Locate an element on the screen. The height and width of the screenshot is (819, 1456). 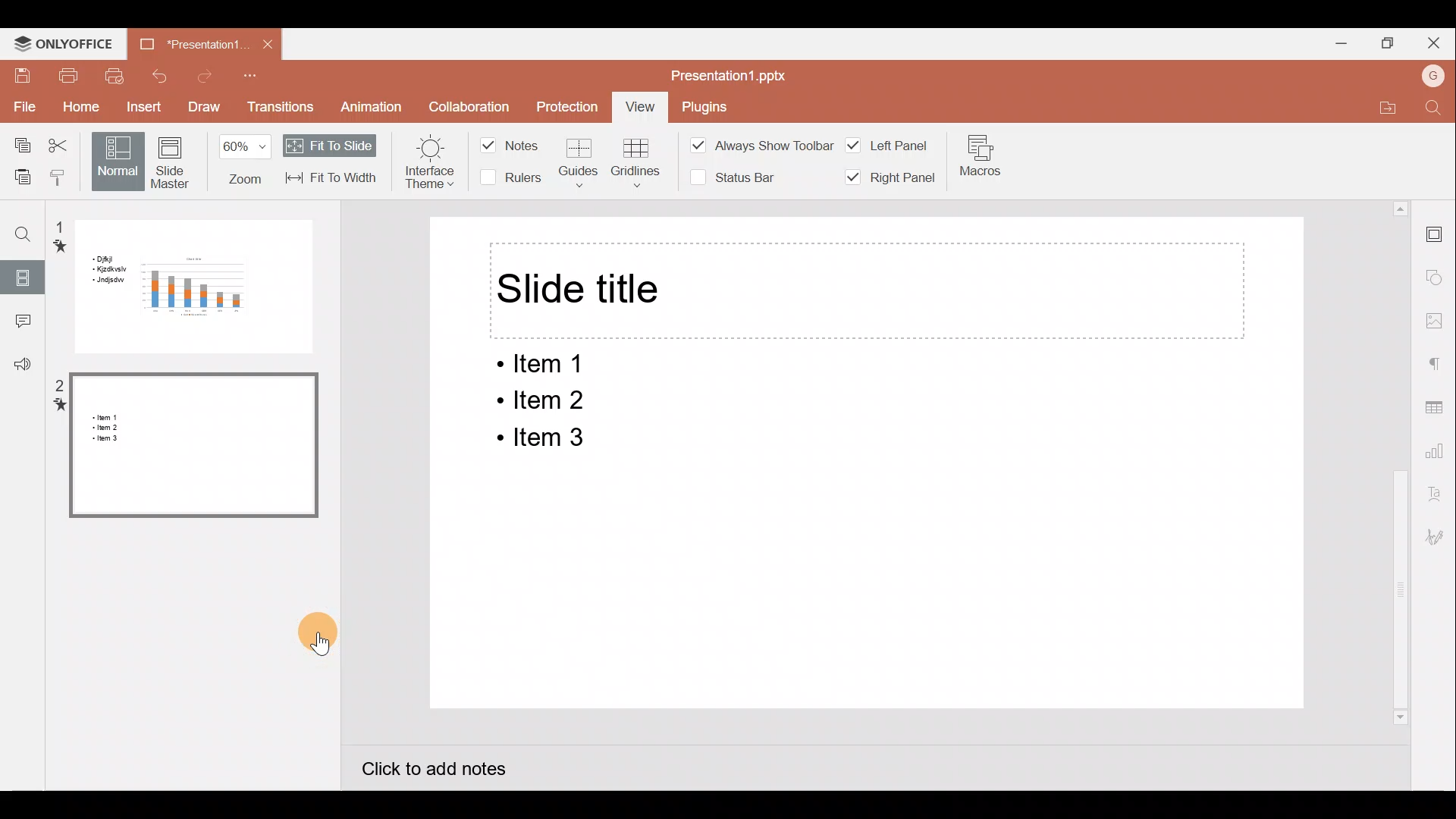
Notes is located at coordinates (515, 143).